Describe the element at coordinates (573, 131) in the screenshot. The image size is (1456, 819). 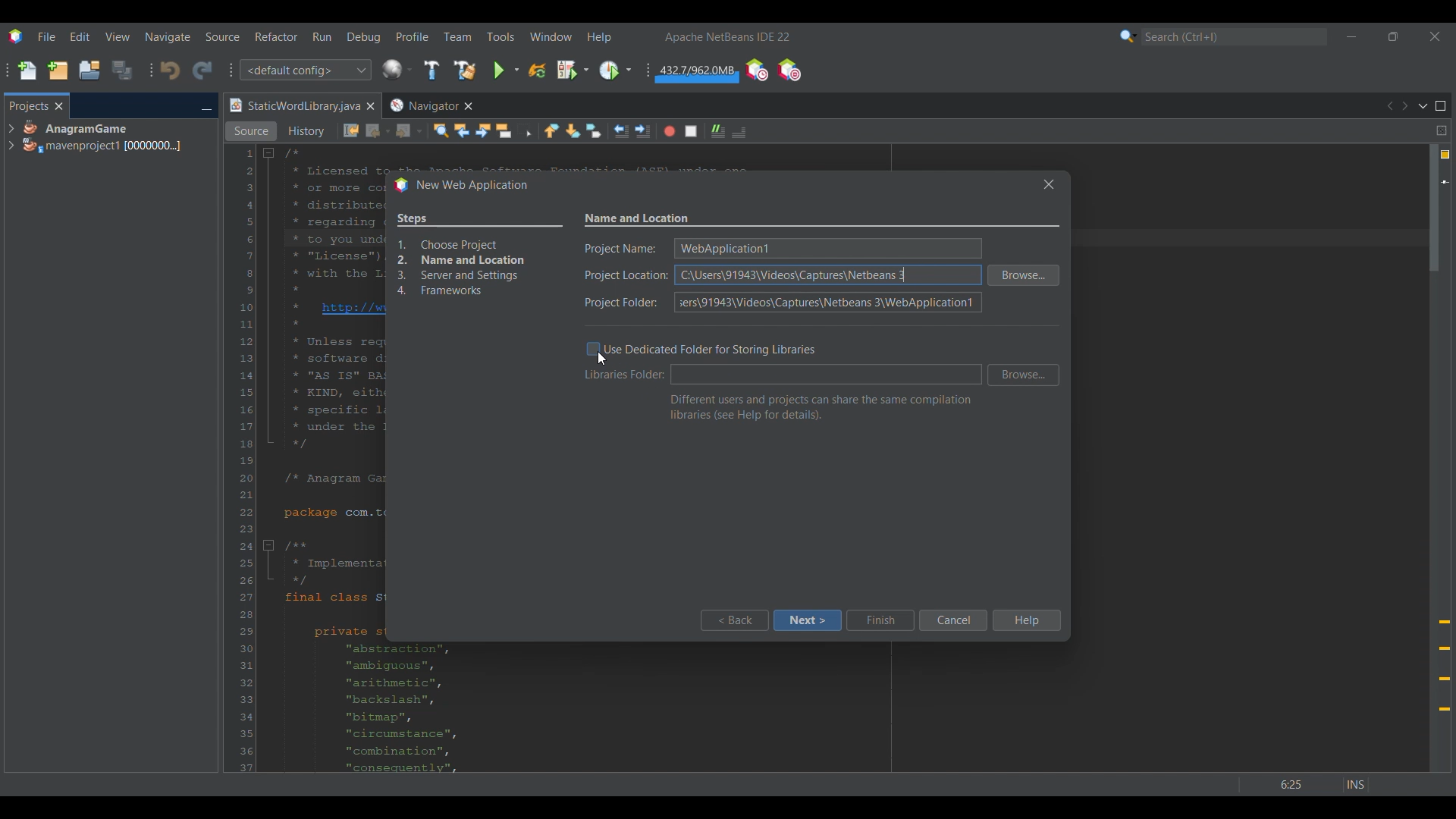
I see `Next bookmark` at that location.